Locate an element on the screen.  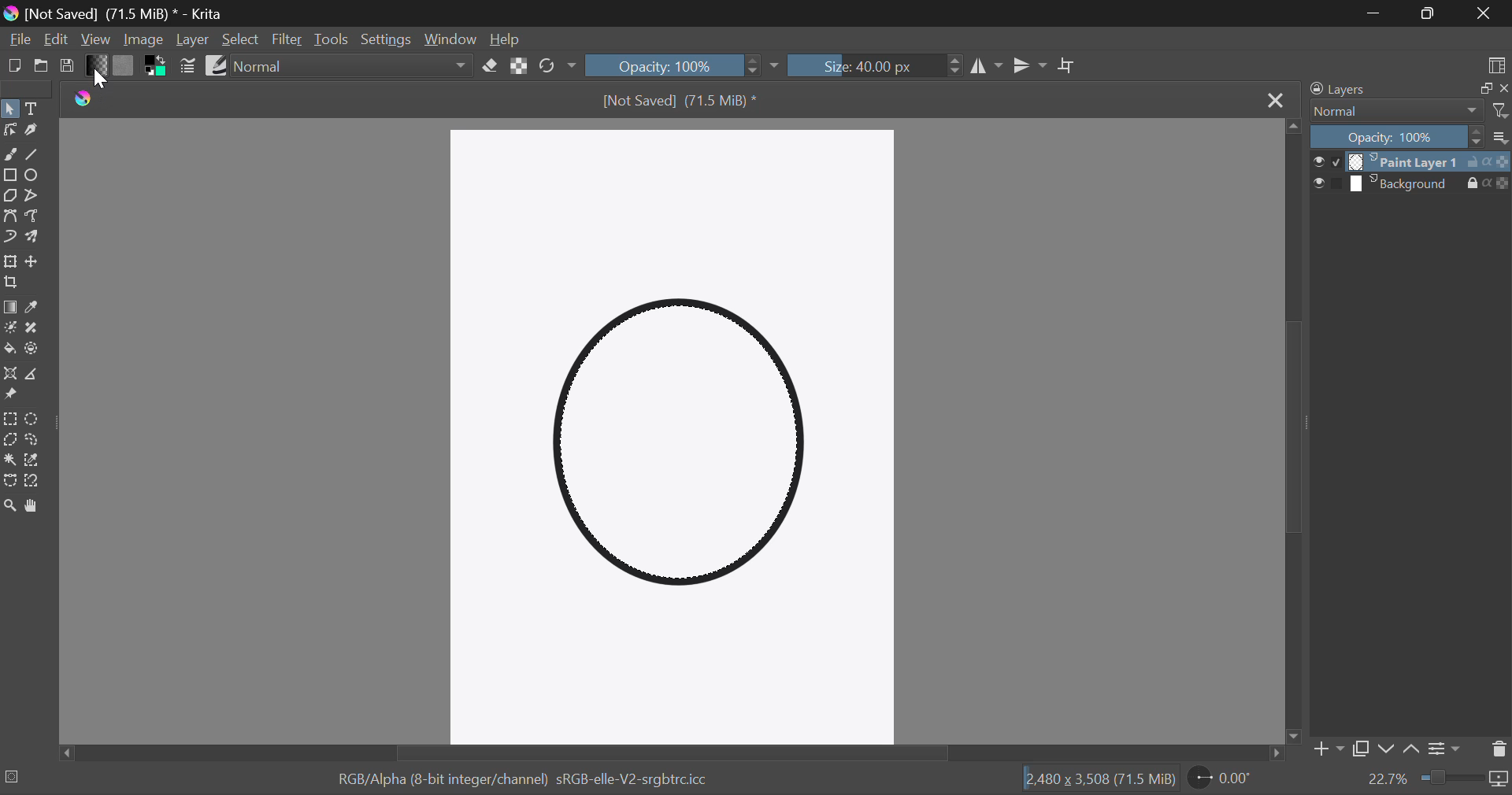
cursor is located at coordinates (106, 80).